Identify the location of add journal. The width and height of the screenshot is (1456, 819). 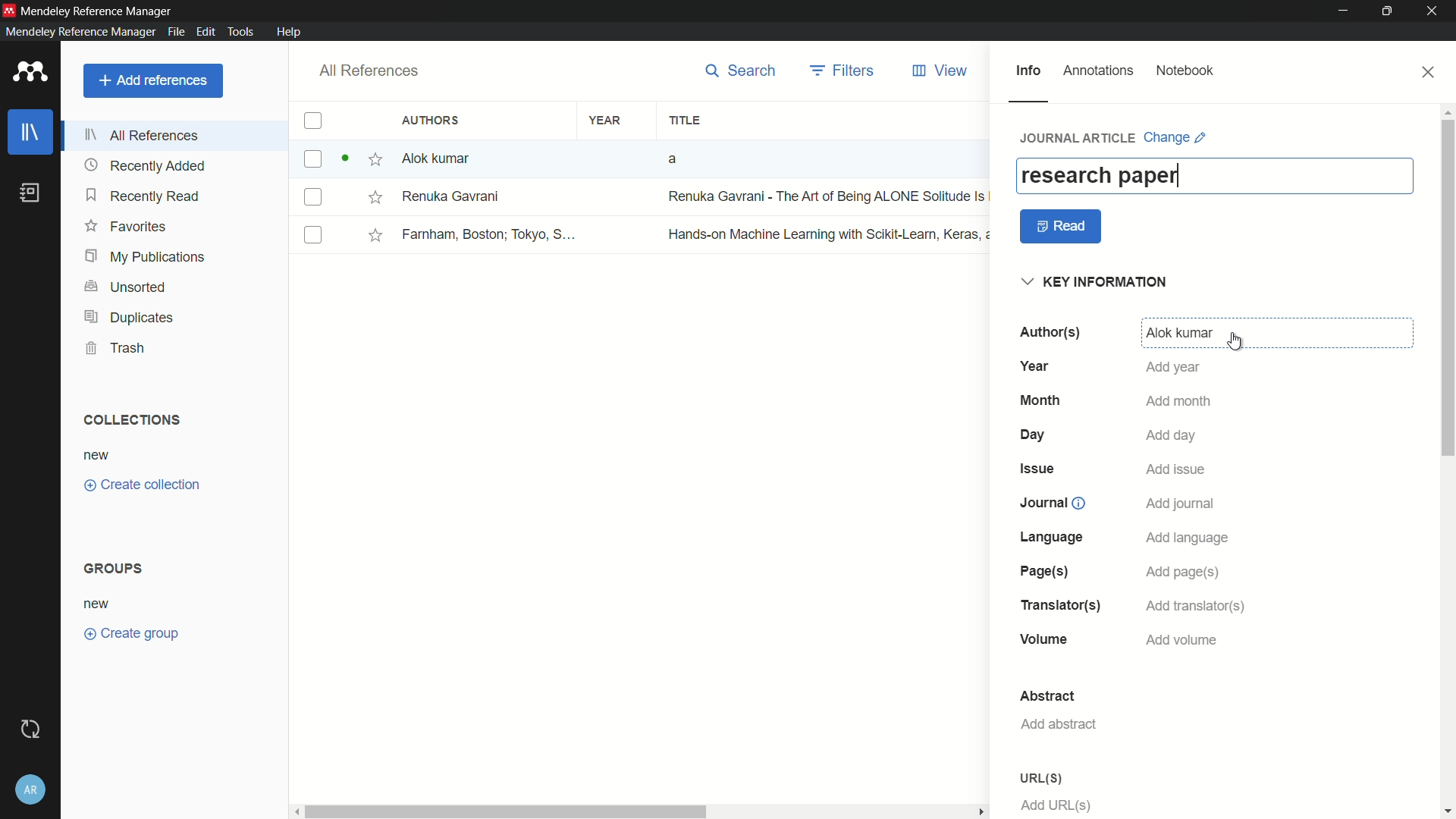
(1181, 504).